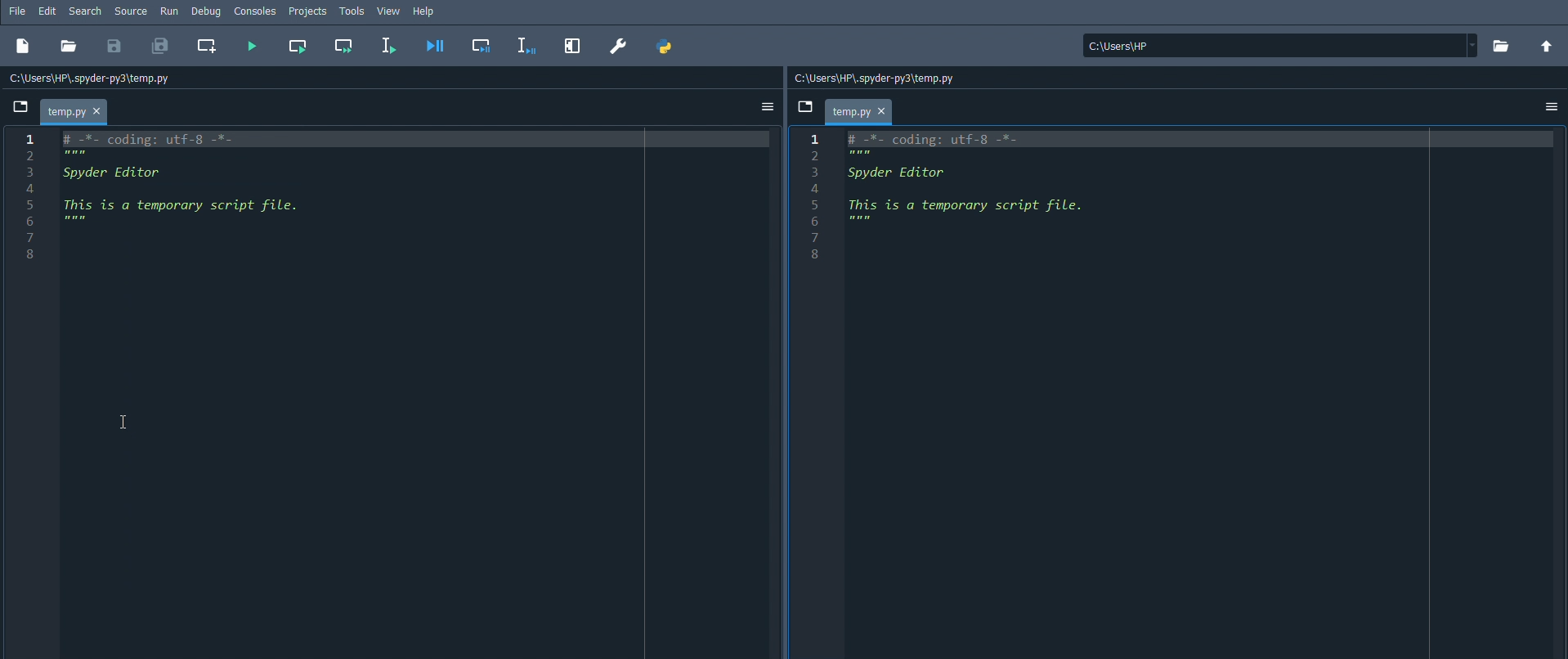 The height and width of the screenshot is (659, 1568). I want to click on Debug cell, so click(481, 45).